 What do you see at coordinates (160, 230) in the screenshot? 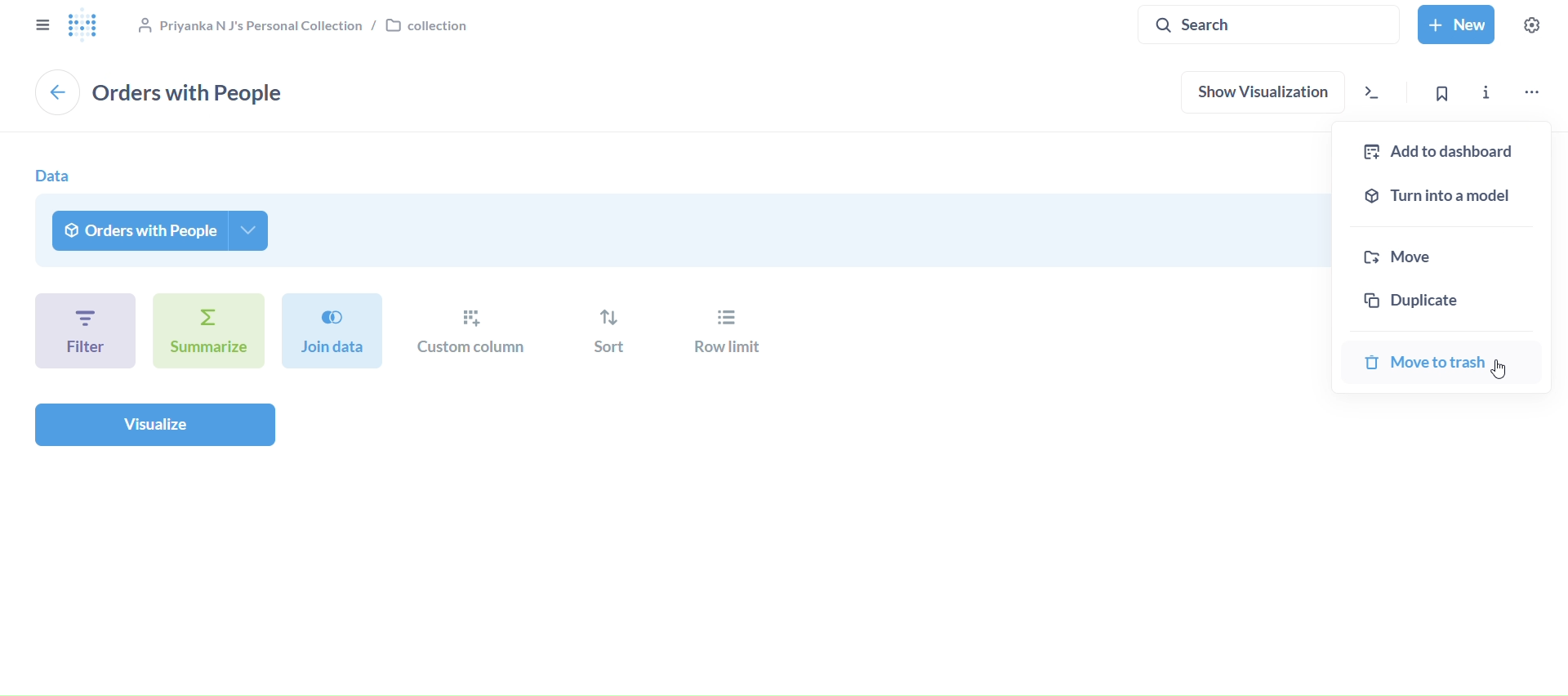
I see `orders with people` at bounding box center [160, 230].